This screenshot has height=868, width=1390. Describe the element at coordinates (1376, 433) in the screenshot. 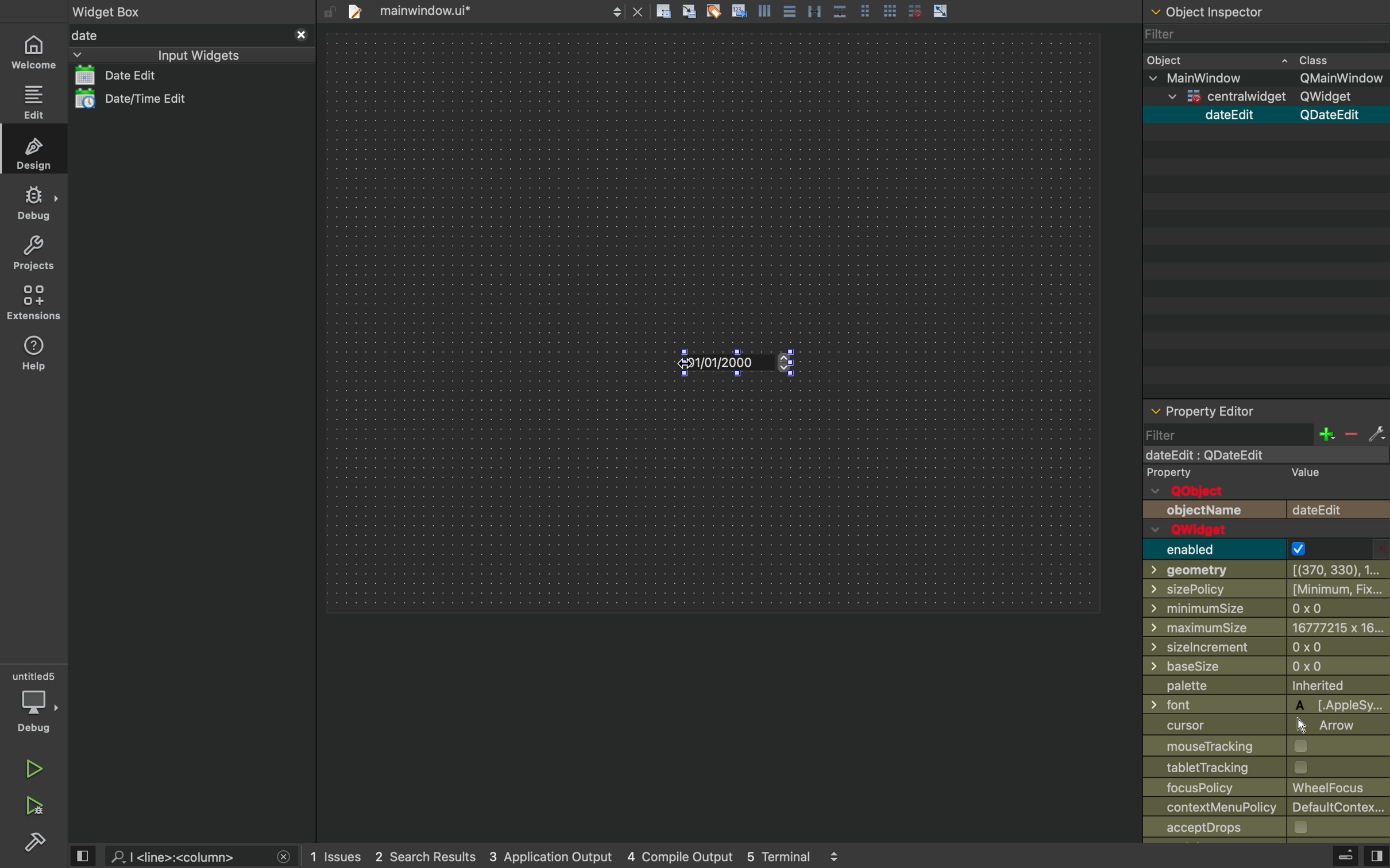

I see `settings` at that location.